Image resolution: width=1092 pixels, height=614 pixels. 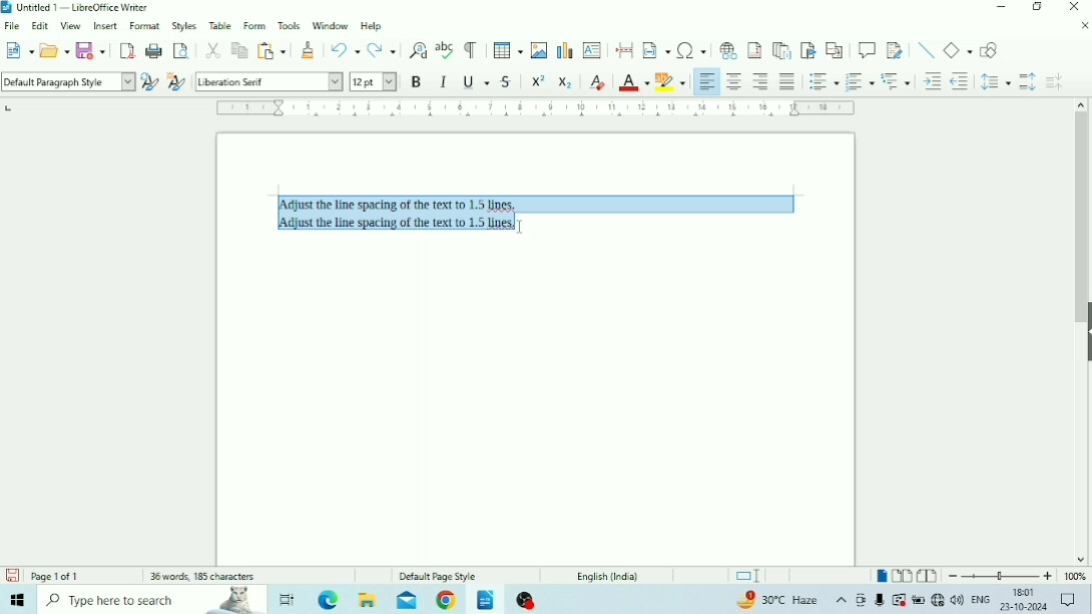 I want to click on Insert, so click(x=105, y=24).